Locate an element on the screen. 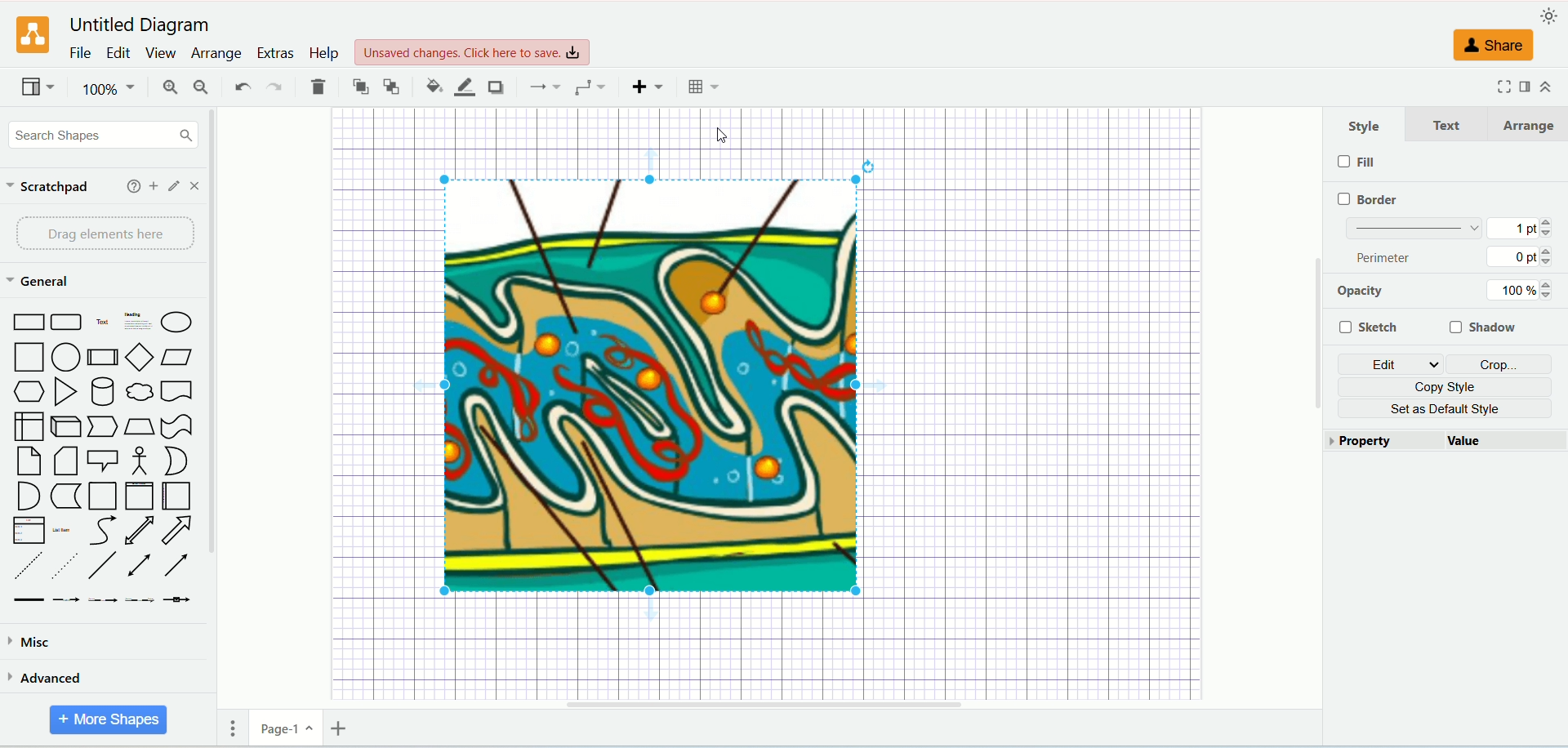  And is located at coordinates (29, 496).